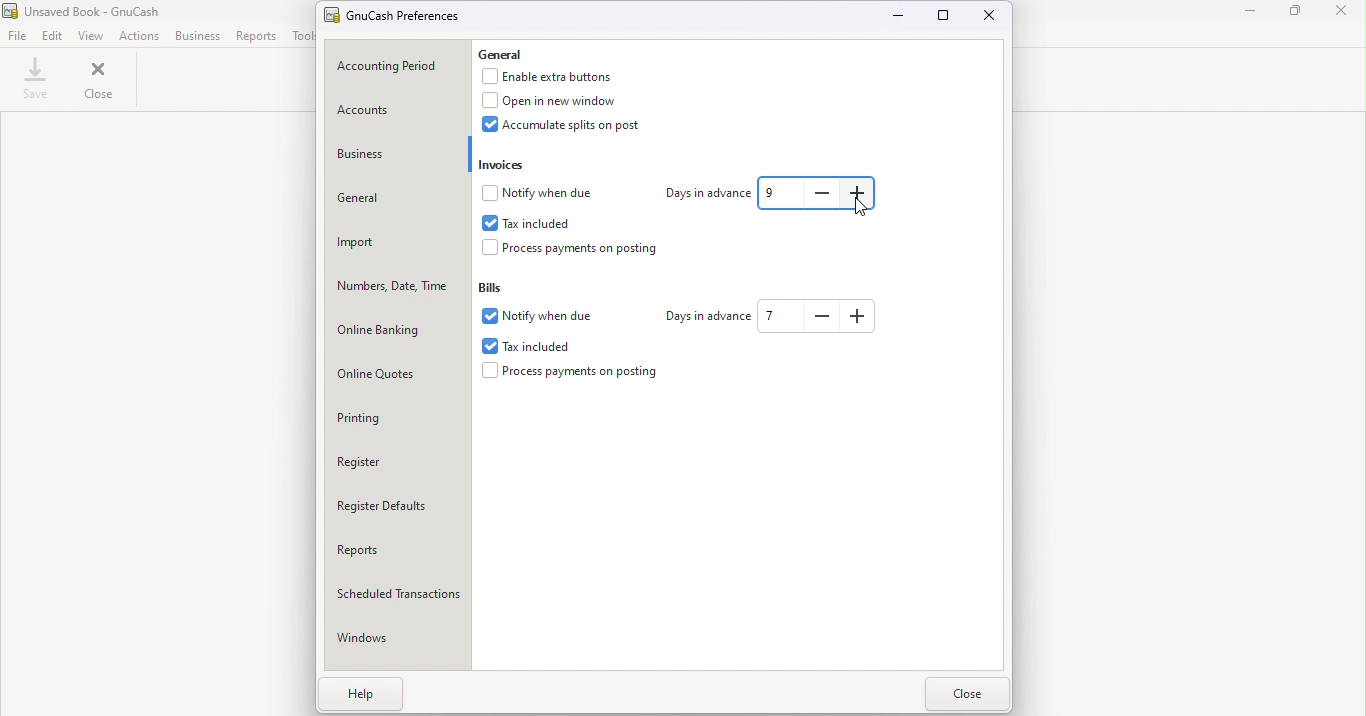 This screenshot has height=716, width=1366. I want to click on Business, so click(198, 35).